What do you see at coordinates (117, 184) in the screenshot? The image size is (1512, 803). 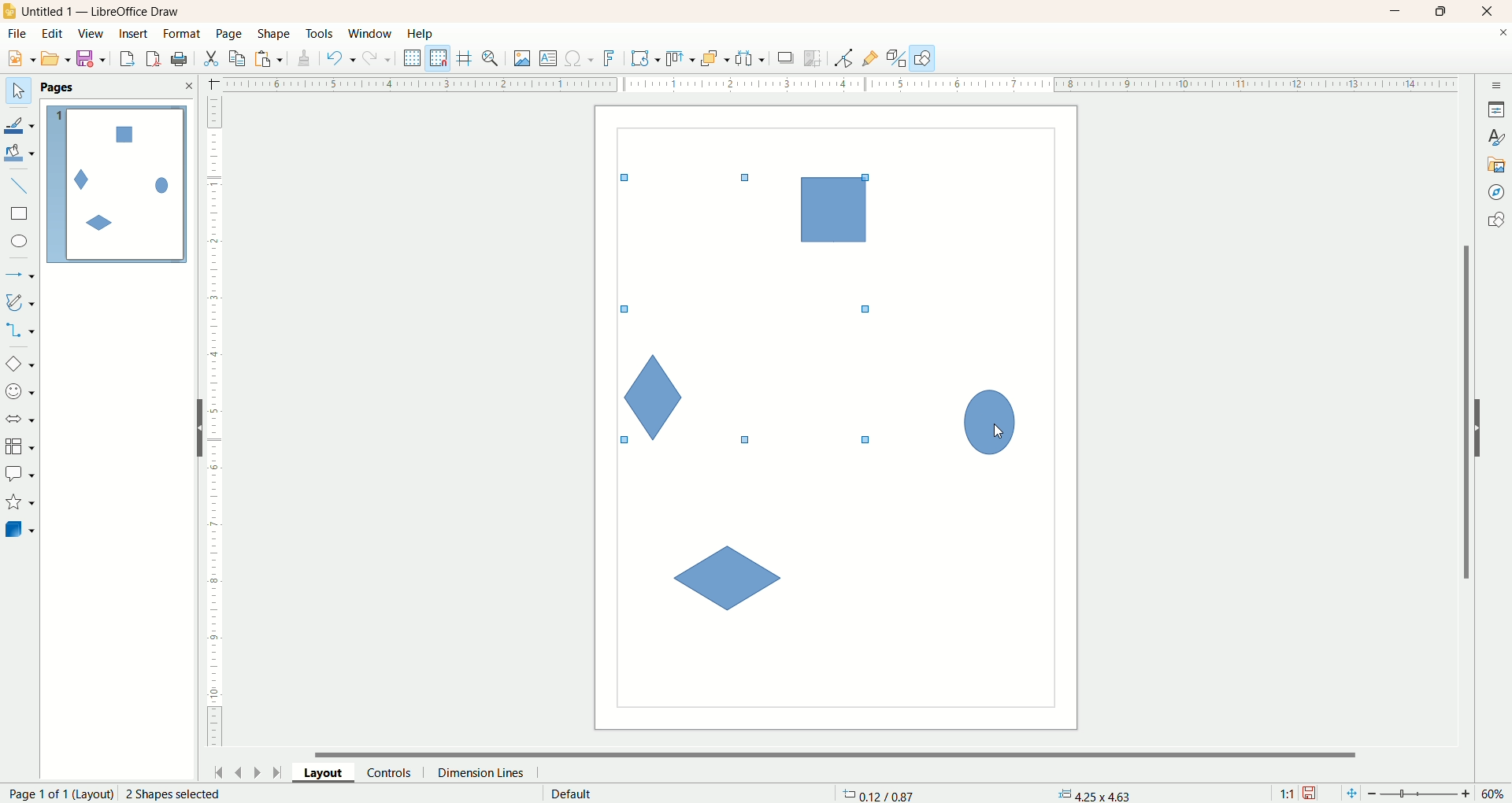 I see `page1` at bounding box center [117, 184].